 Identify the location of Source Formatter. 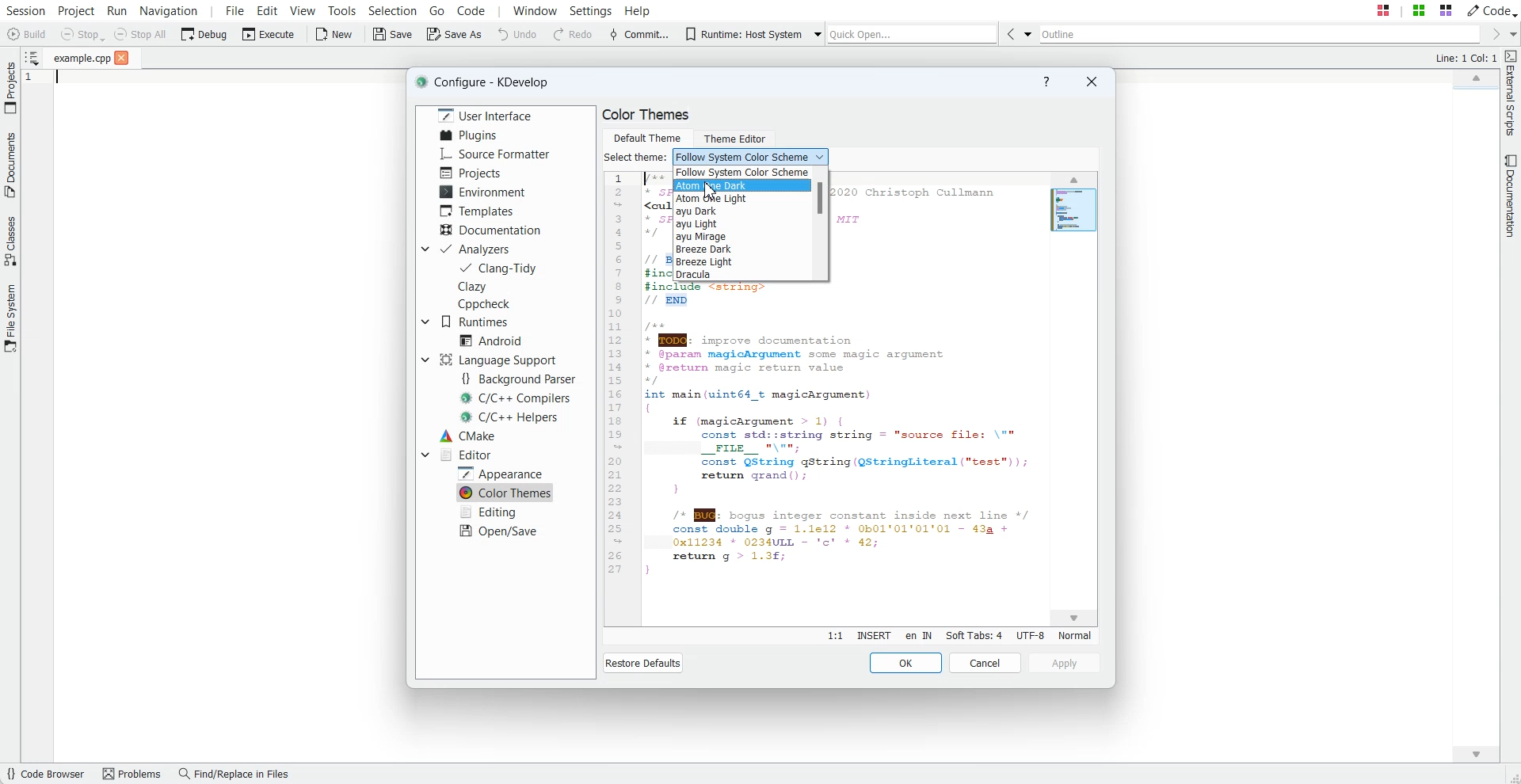
(496, 154).